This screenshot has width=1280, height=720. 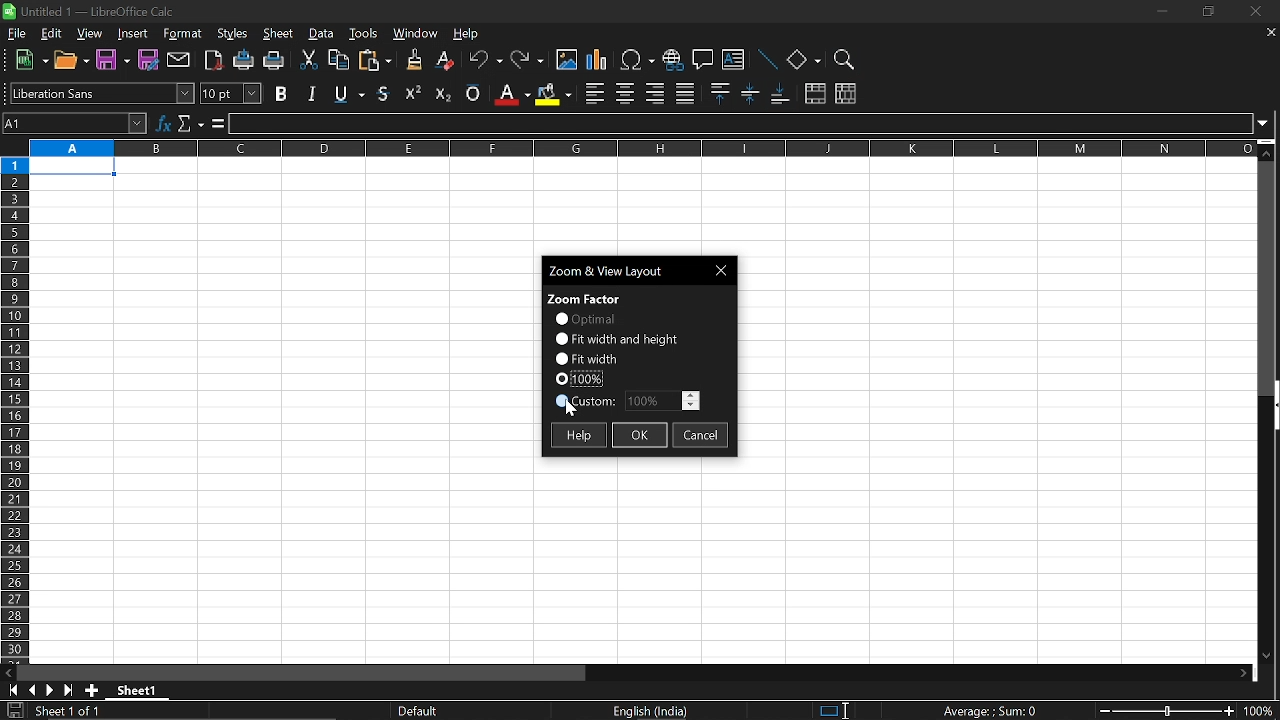 What do you see at coordinates (32, 690) in the screenshot?
I see `previous page` at bounding box center [32, 690].